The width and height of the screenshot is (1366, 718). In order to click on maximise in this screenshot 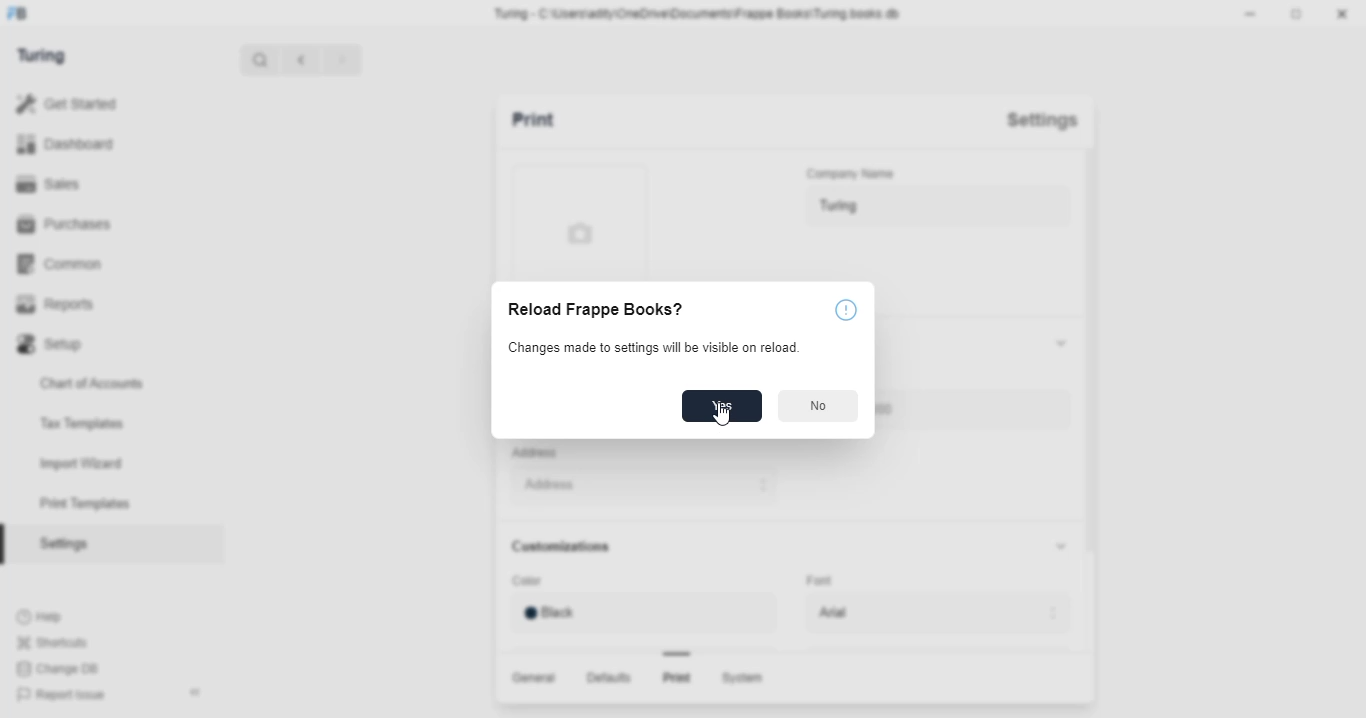, I will do `click(1299, 15)`.